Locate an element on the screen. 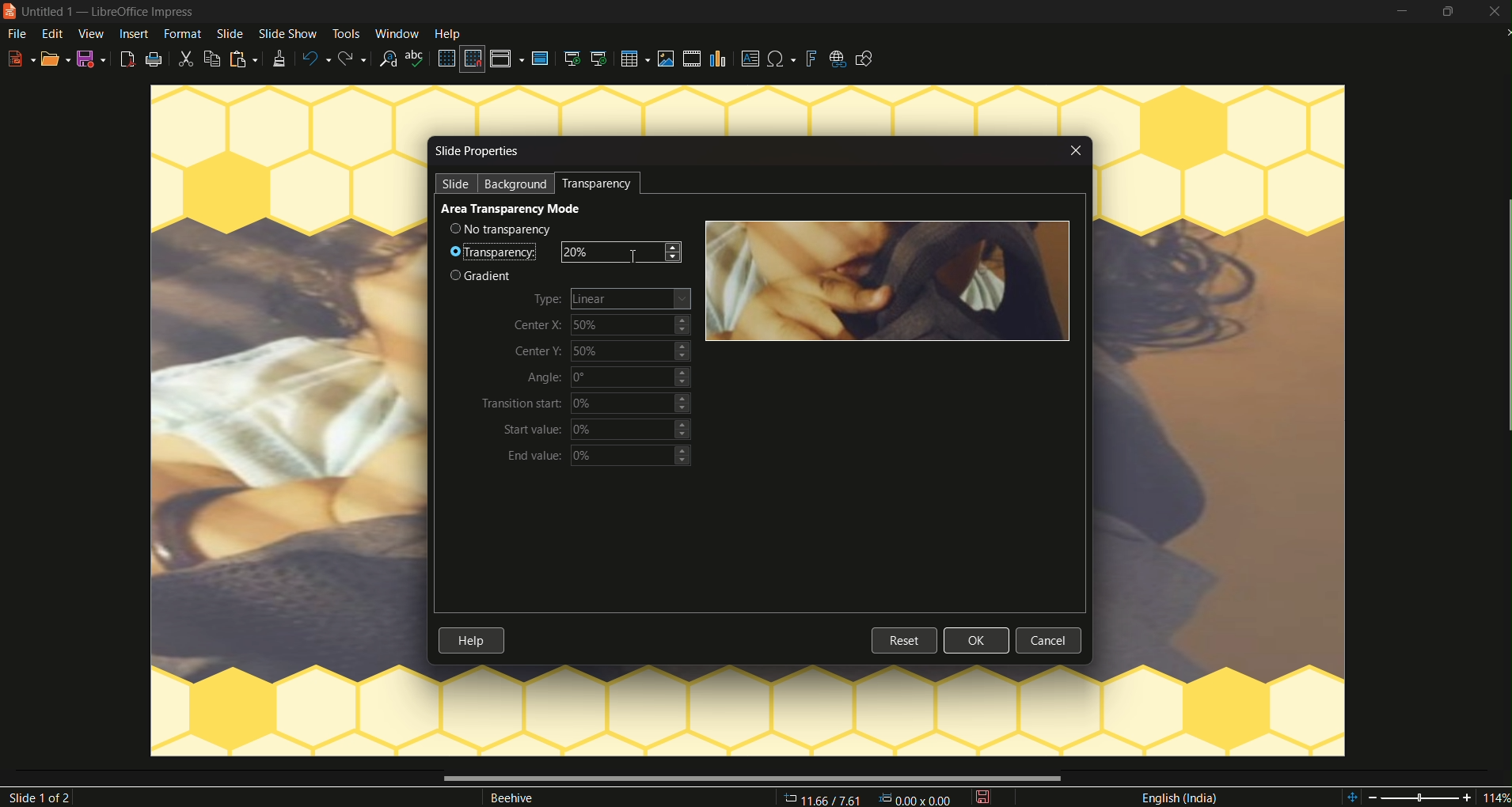 This screenshot has width=1512, height=807. center Y is located at coordinates (541, 350).